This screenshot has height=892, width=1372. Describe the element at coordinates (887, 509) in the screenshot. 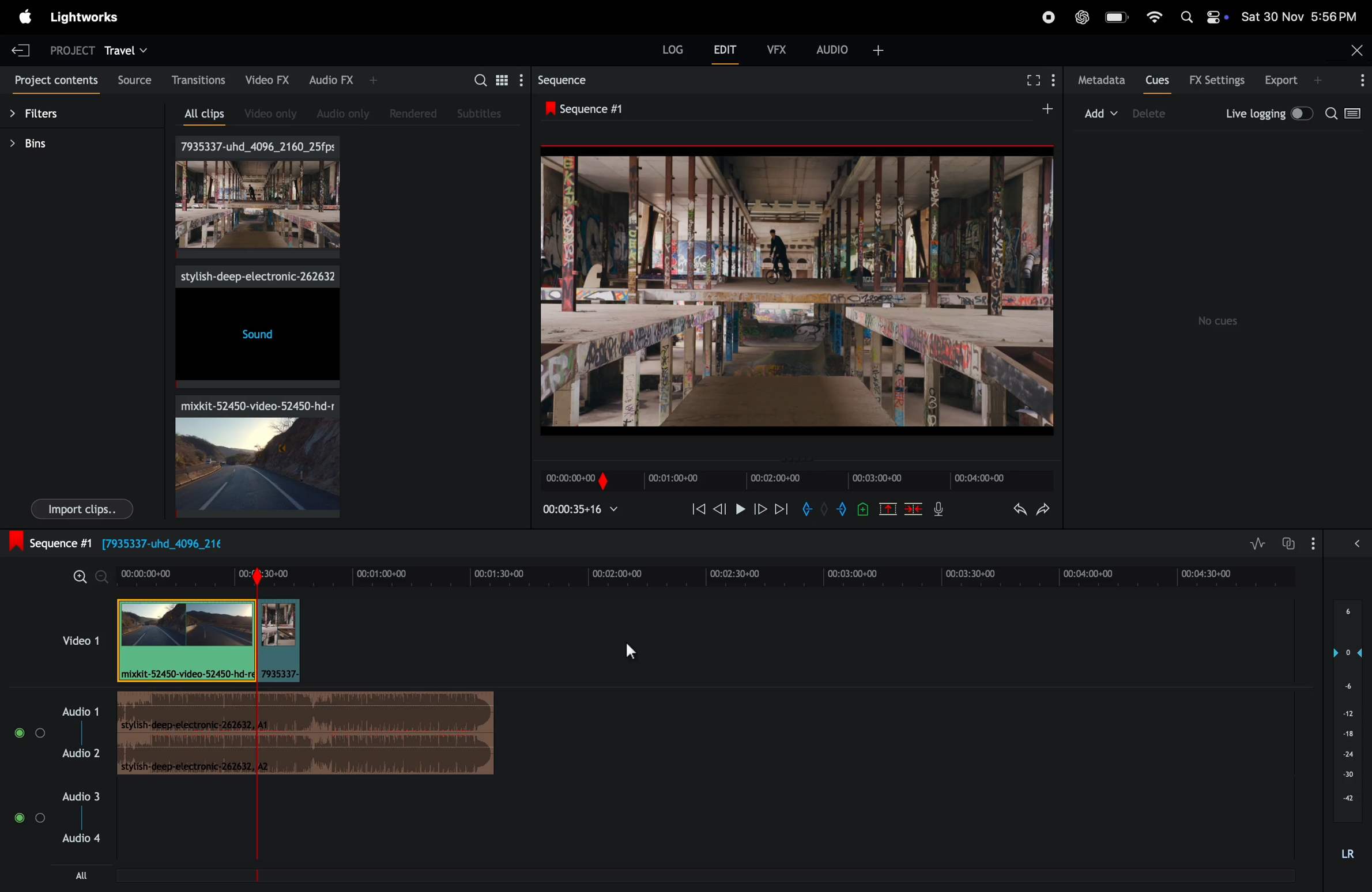

I see `cut` at that location.